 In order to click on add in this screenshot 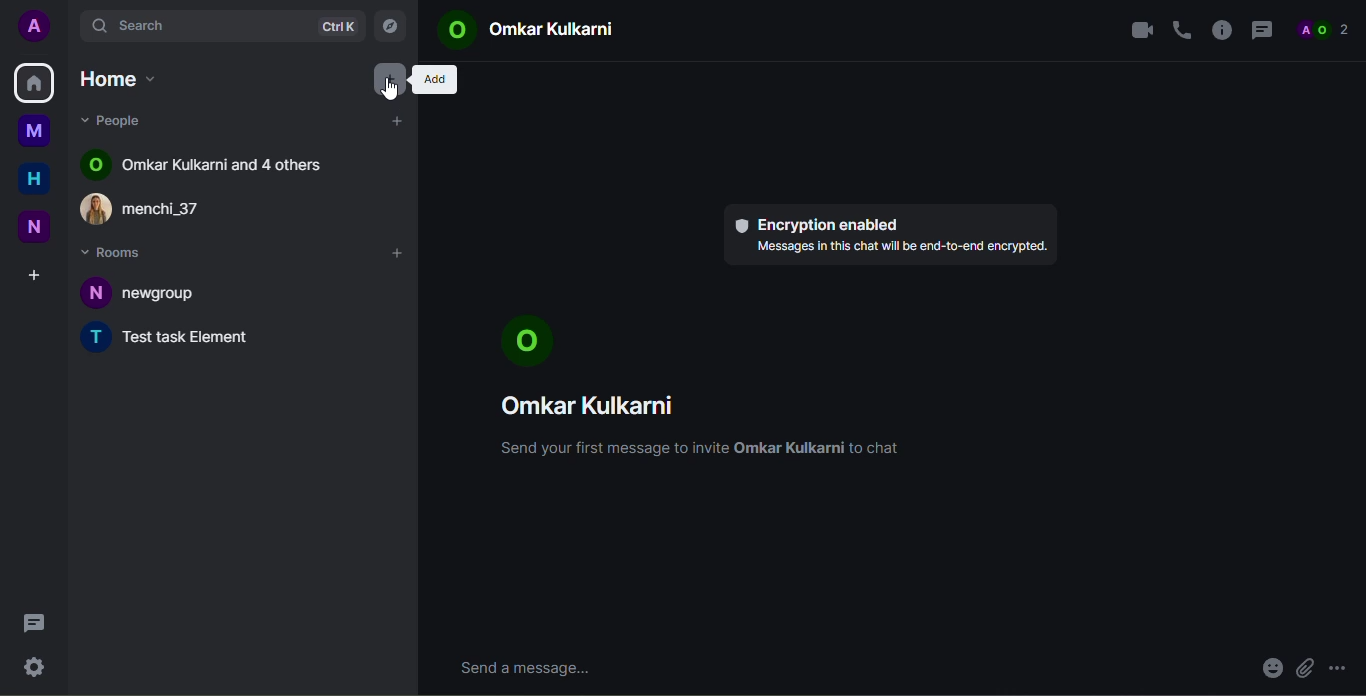, I will do `click(432, 80)`.